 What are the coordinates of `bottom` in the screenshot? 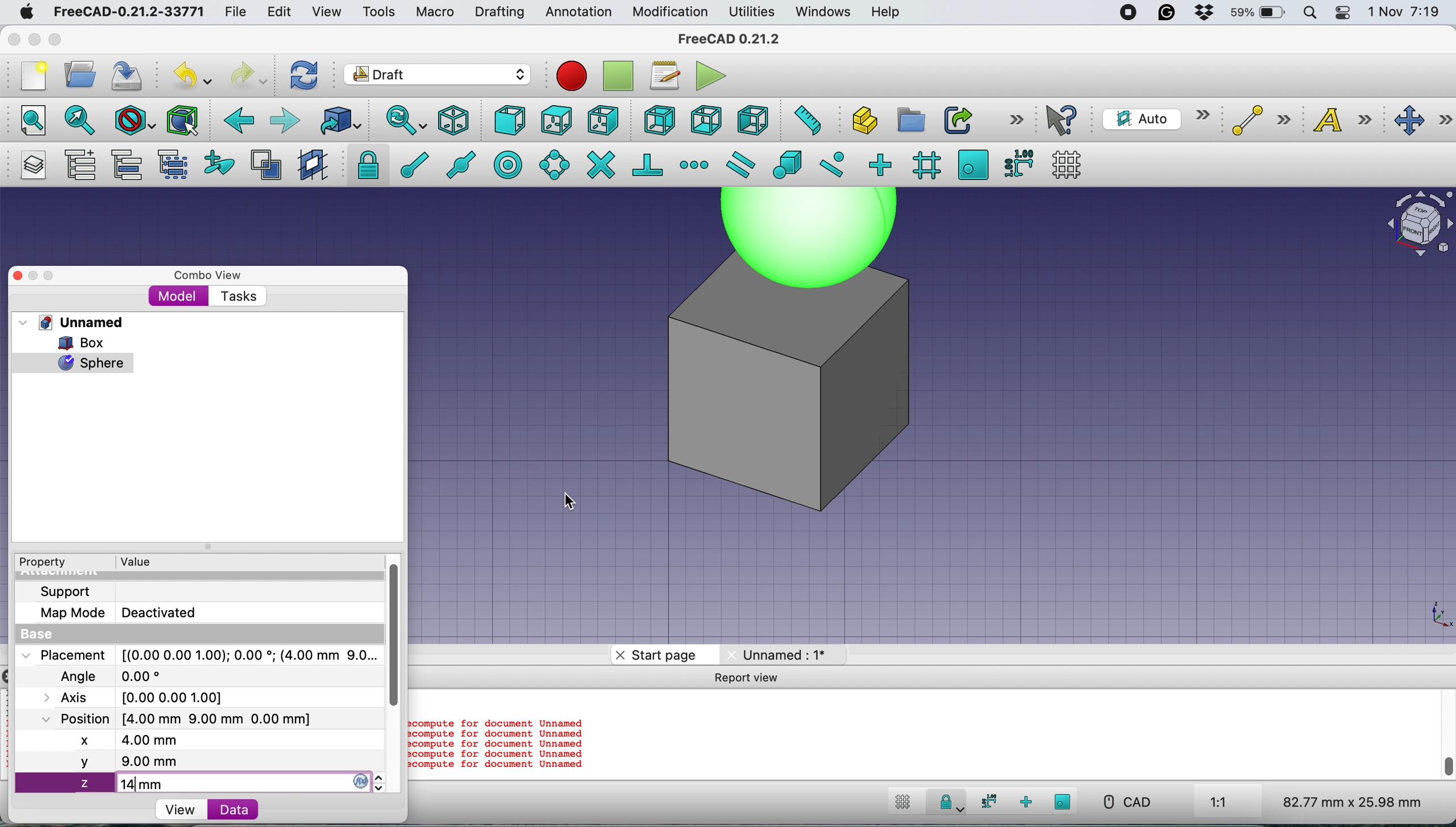 It's located at (706, 121).